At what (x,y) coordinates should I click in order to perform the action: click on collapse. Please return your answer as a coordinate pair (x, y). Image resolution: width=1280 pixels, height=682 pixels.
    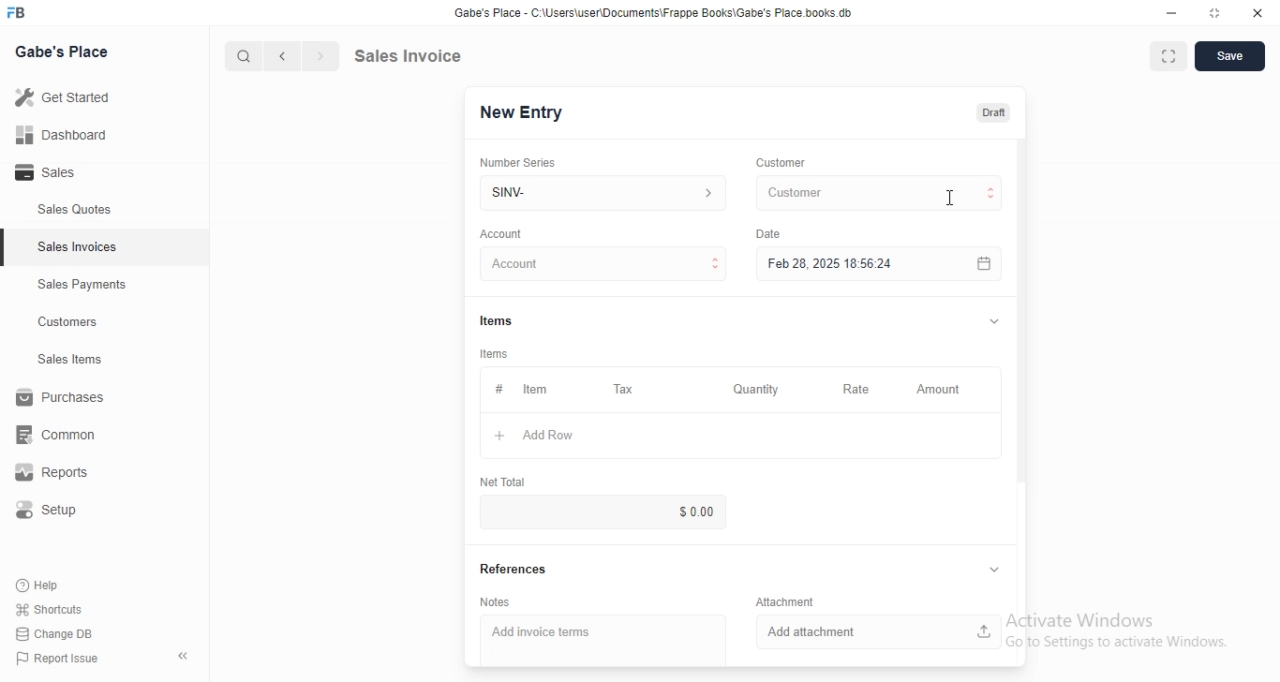
    Looking at the image, I should click on (991, 321).